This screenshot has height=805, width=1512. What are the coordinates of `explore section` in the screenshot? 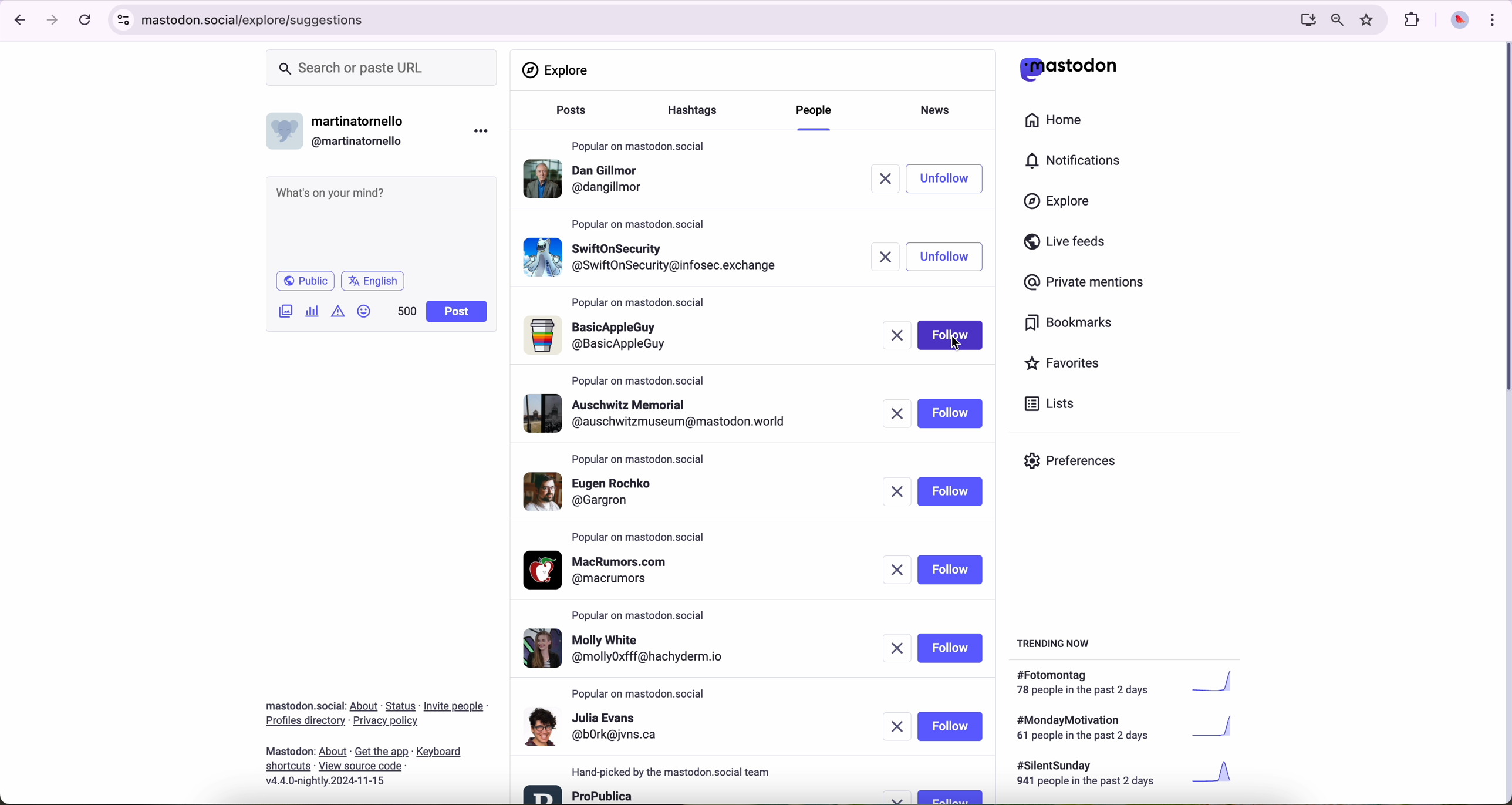 It's located at (558, 70).